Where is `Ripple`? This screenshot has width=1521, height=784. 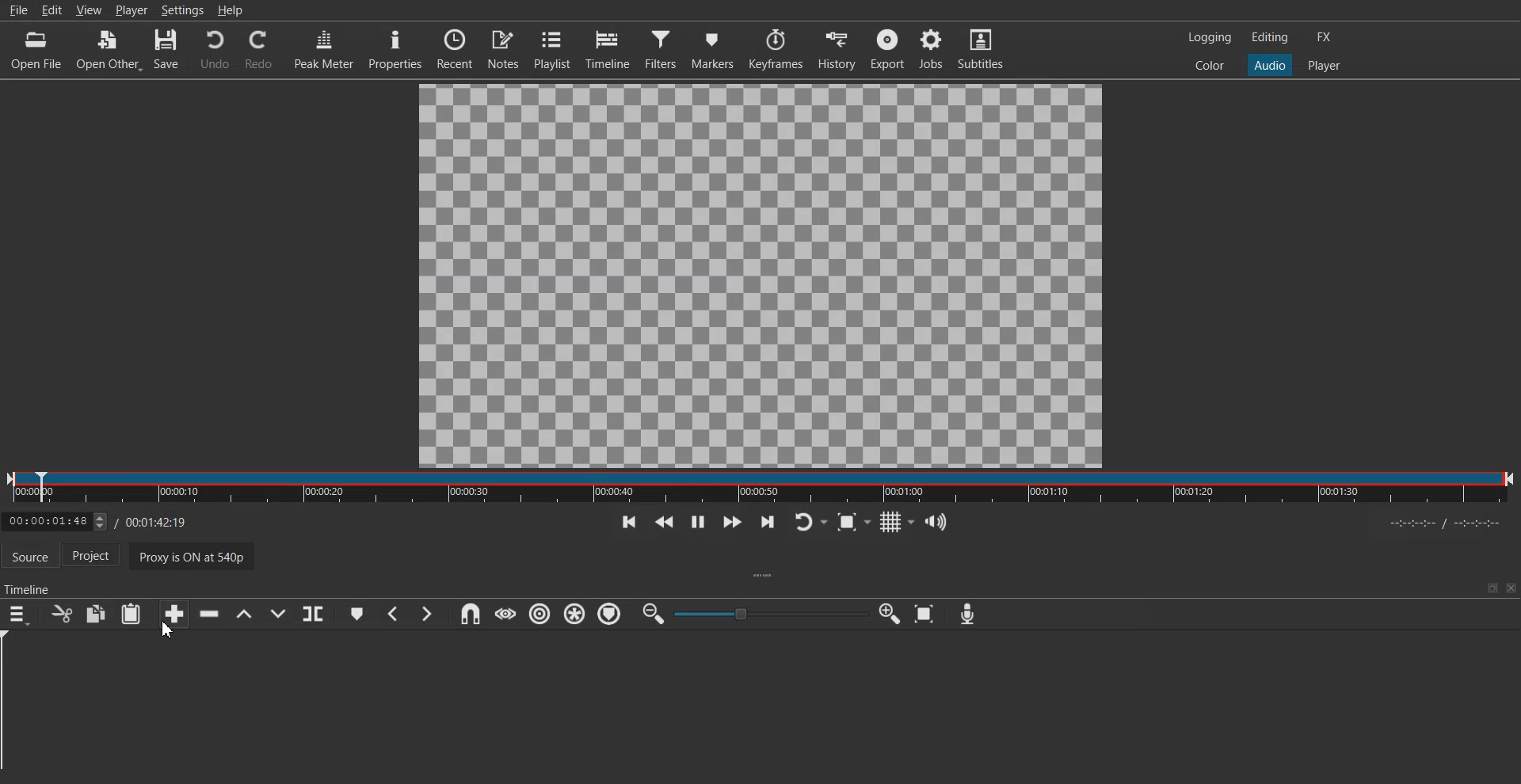
Ripple is located at coordinates (542, 615).